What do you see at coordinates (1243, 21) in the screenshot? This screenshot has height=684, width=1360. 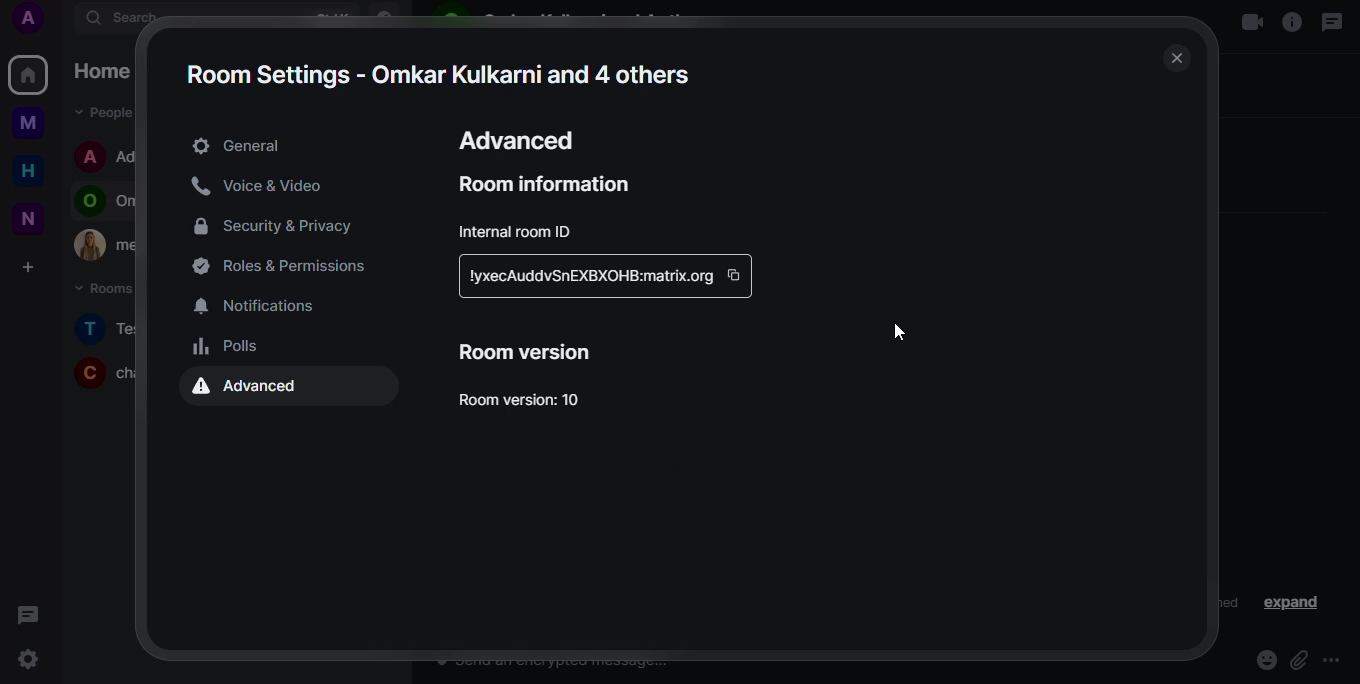 I see `video call` at bounding box center [1243, 21].